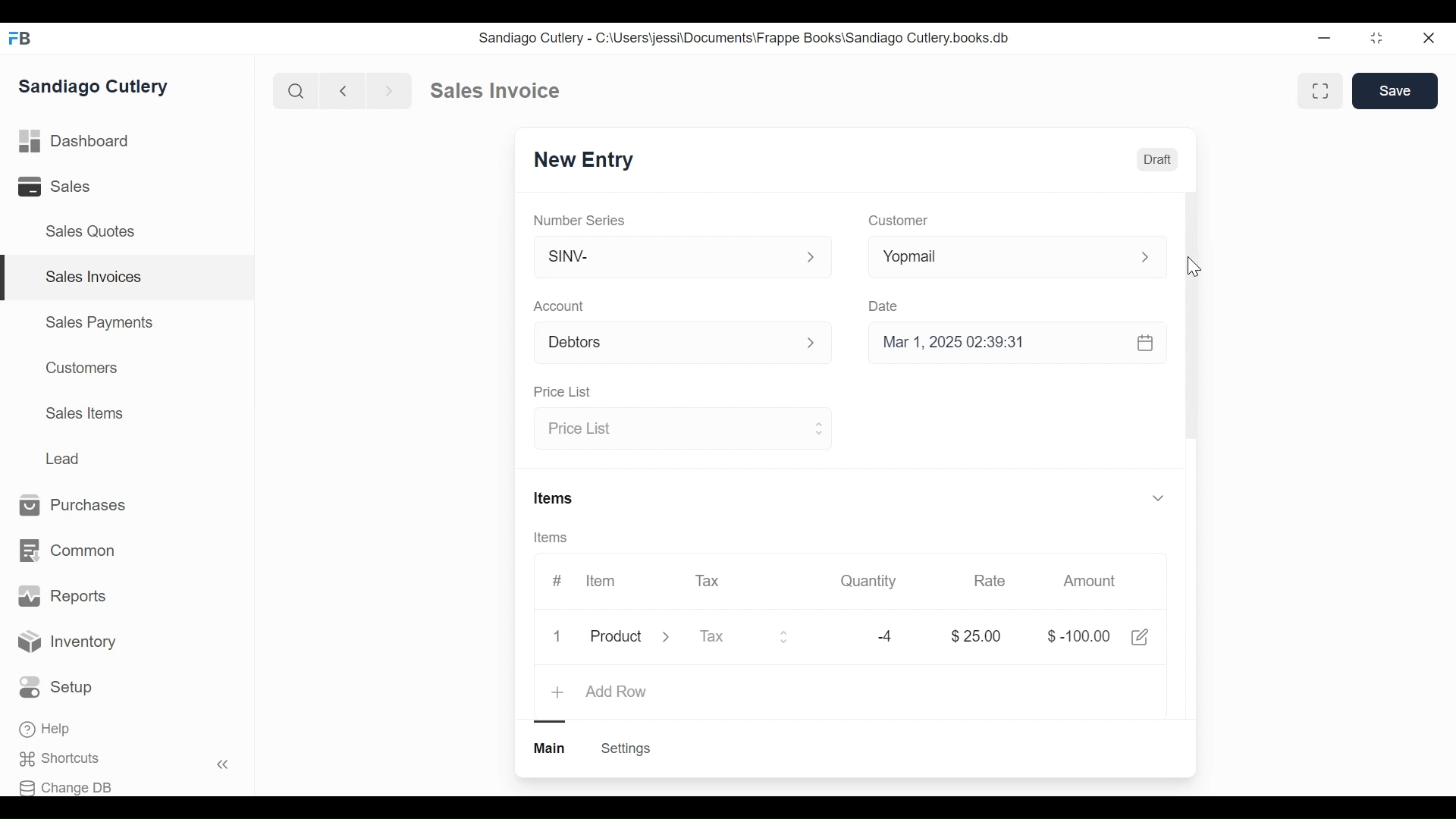 The width and height of the screenshot is (1456, 819). What do you see at coordinates (676, 255) in the screenshot?
I see `SINV-` at bounding box center [676, 255].